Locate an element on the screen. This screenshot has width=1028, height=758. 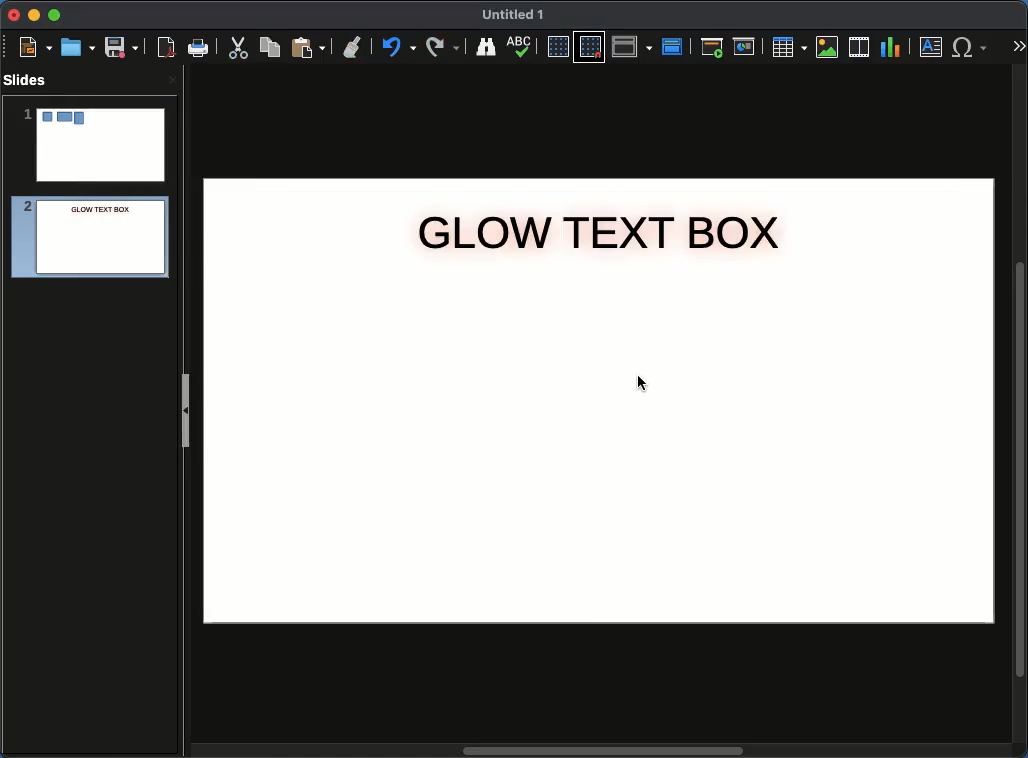
Close is located at coordinates (15, 15).